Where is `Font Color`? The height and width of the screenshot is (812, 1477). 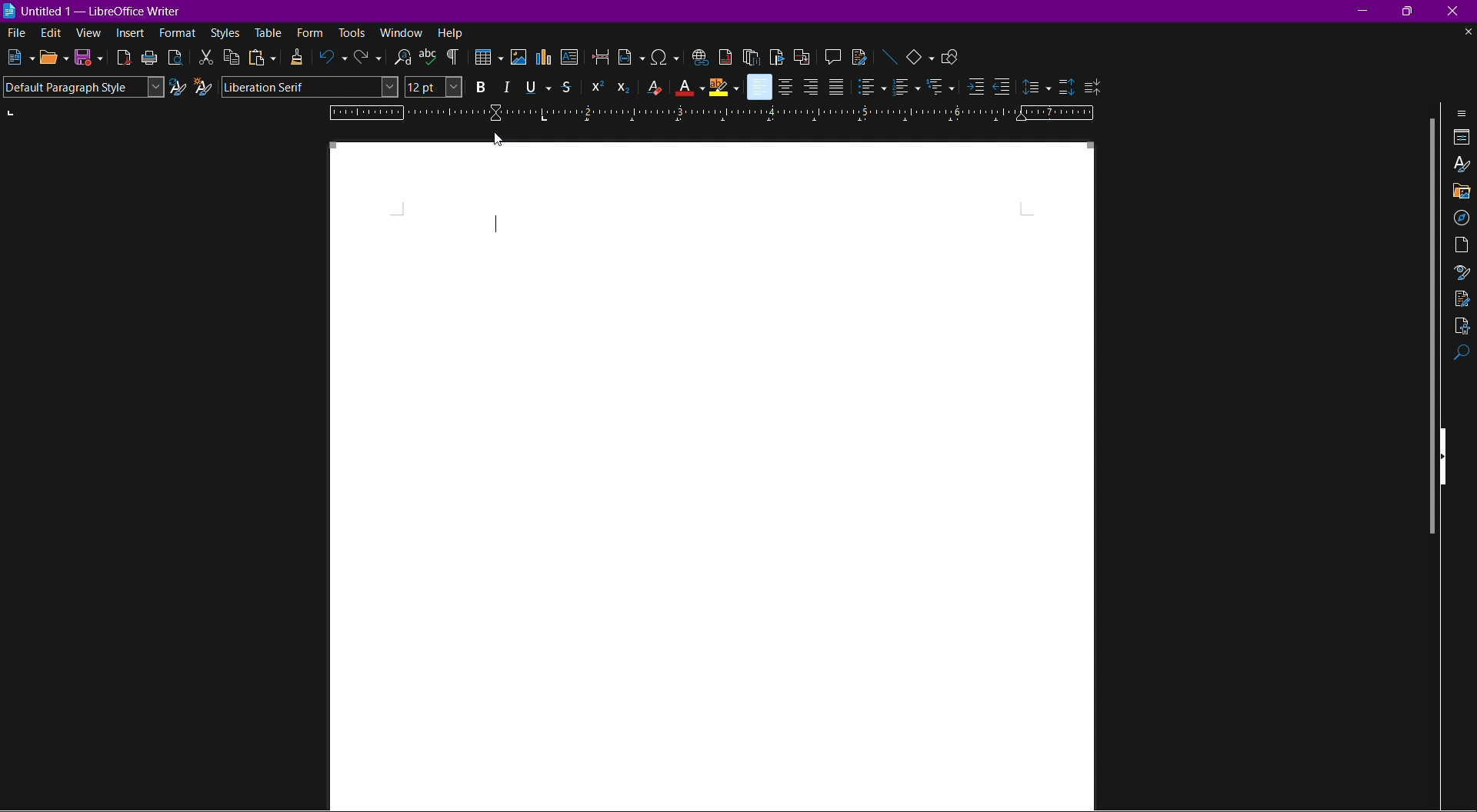
Font Color is located at coordinates (689, 88).